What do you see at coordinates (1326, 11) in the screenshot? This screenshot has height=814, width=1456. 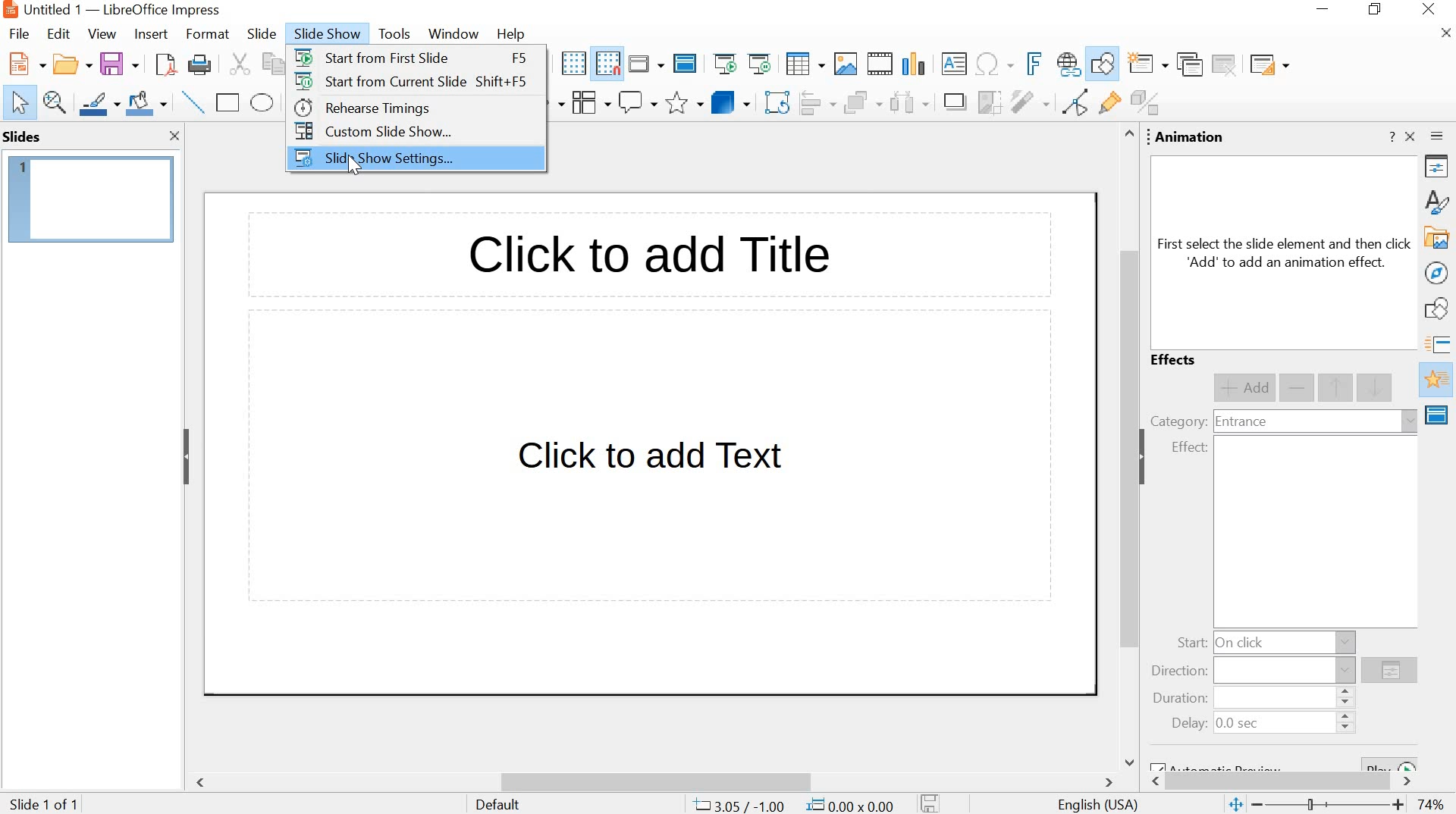 I see `minimize` at bounding box center [1326, 11].